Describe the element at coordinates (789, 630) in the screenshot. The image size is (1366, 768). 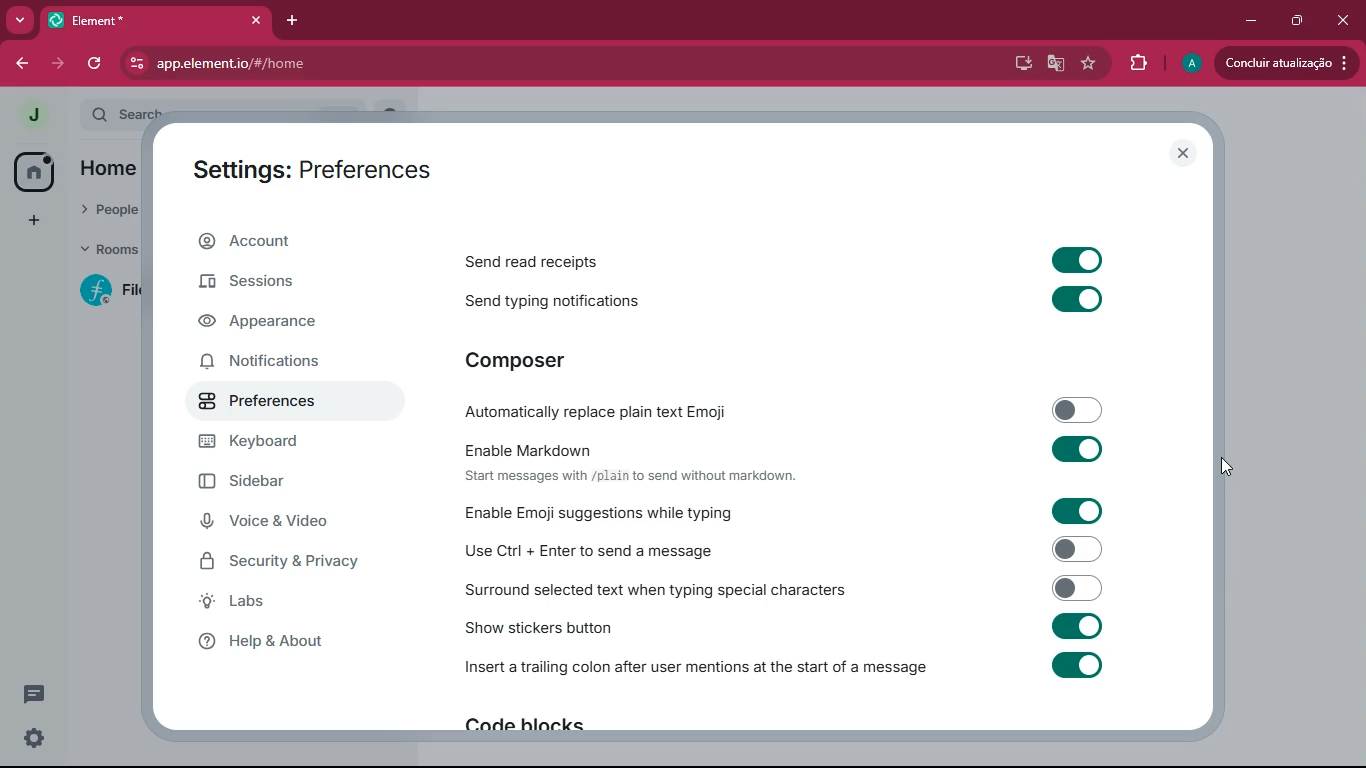
I see `Show stickers button` at that location.